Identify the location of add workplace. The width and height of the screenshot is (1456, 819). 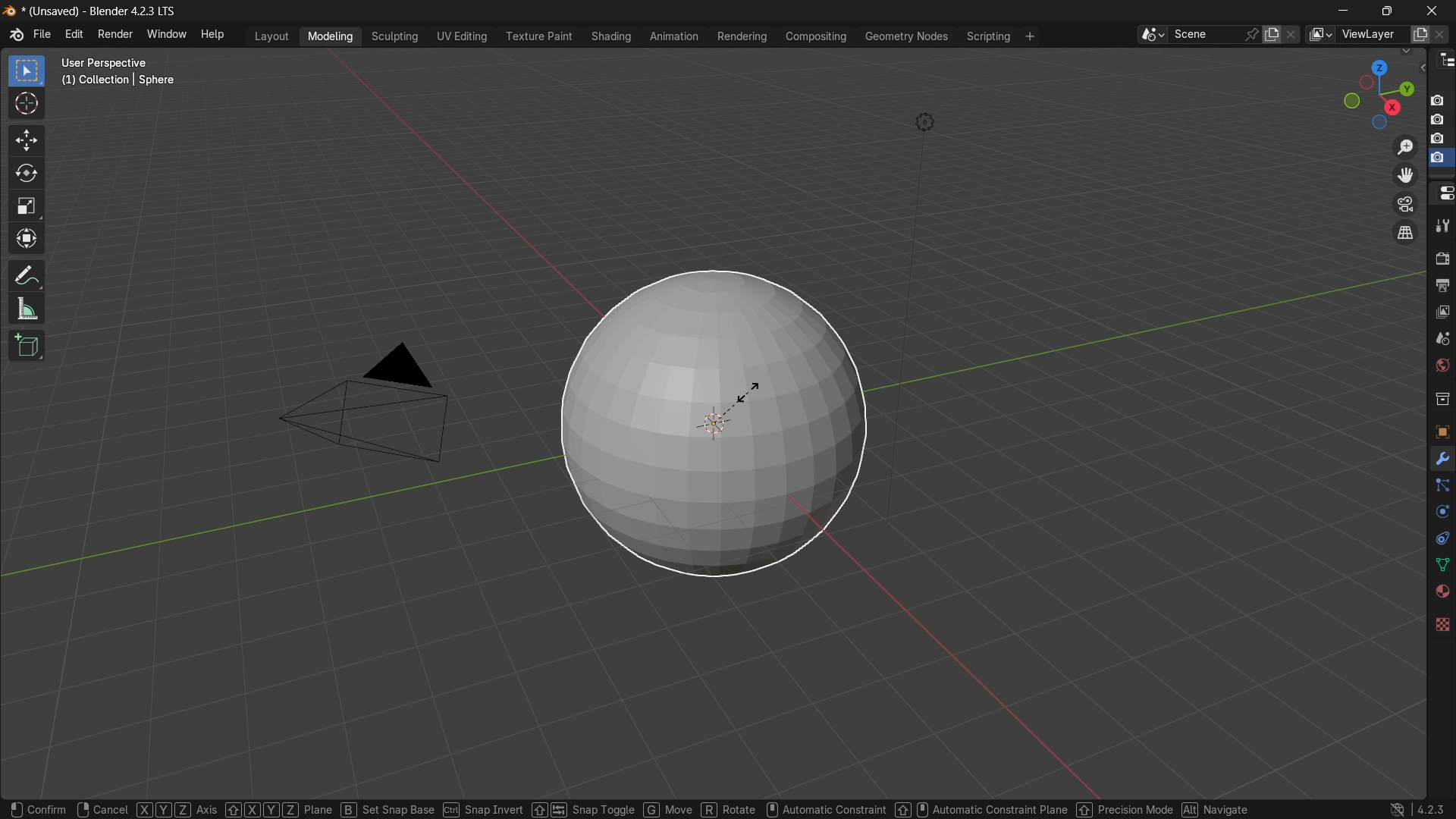
(1028, 36).